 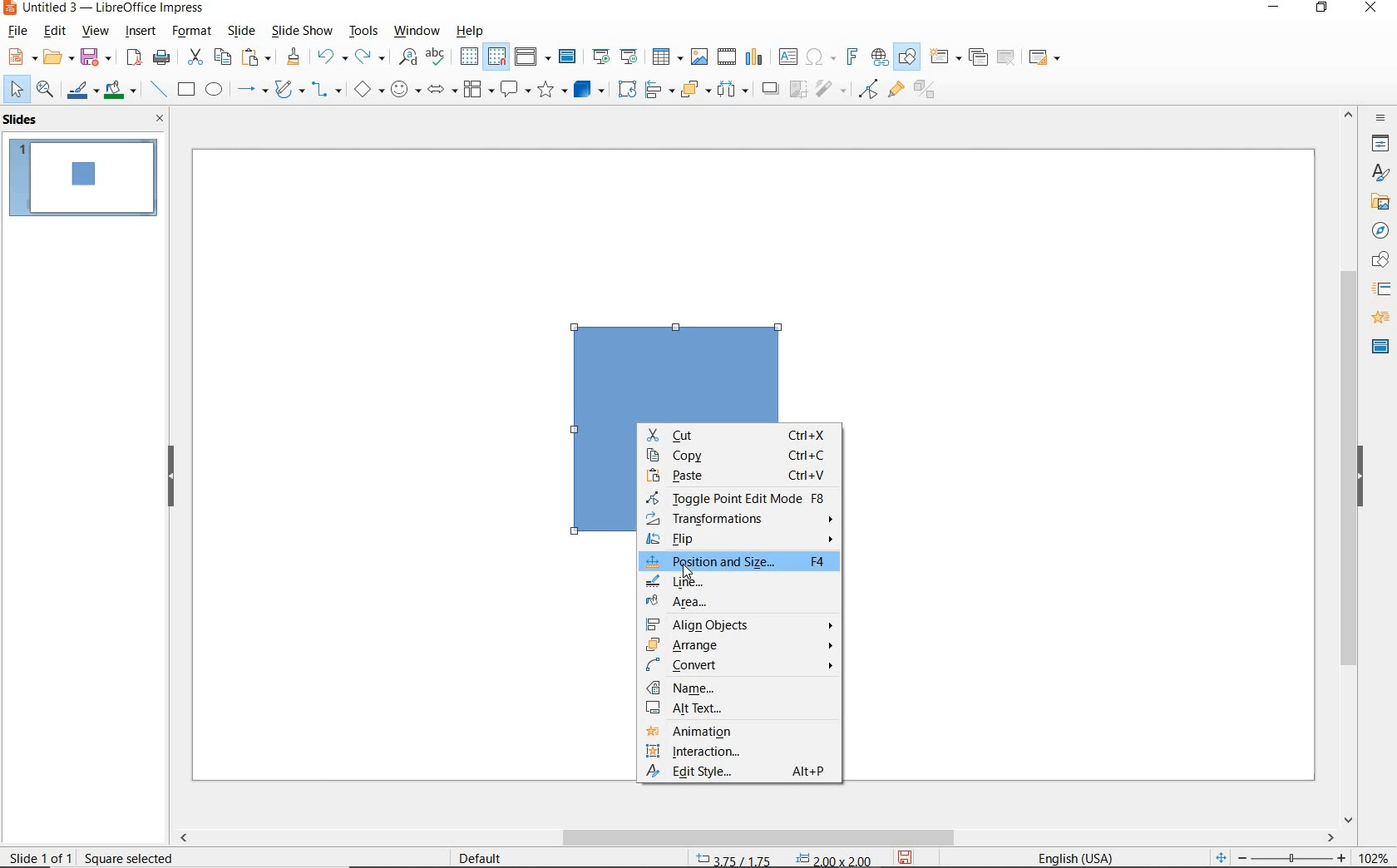 I want to click on start from current slide, so click(x=630, y=57).